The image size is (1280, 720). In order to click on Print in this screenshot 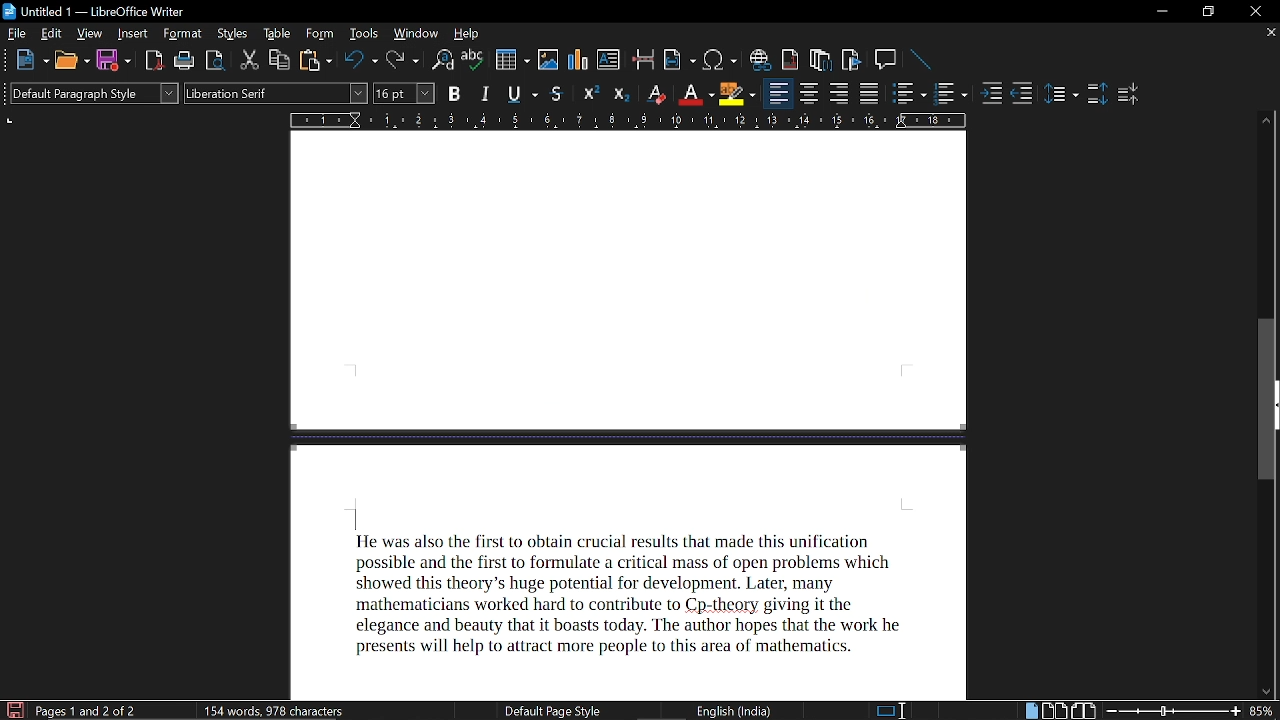, I will do `click(183, 62)`.